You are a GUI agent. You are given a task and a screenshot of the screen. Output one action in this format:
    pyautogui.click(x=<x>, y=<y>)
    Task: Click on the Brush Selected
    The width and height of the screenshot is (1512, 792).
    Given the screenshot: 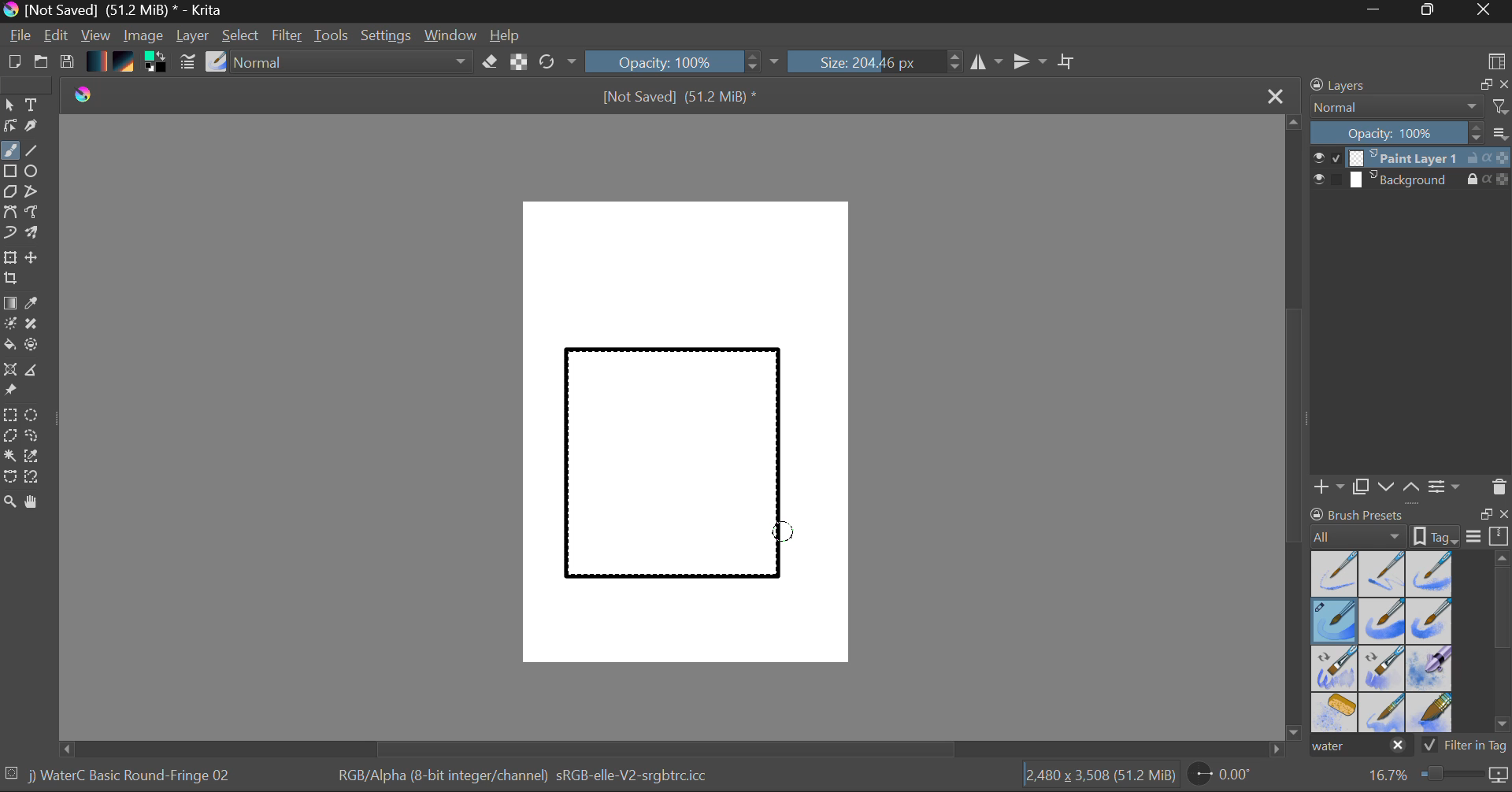 What is the action you would take?
    pyautogui.click(x=1336, y=622)
    